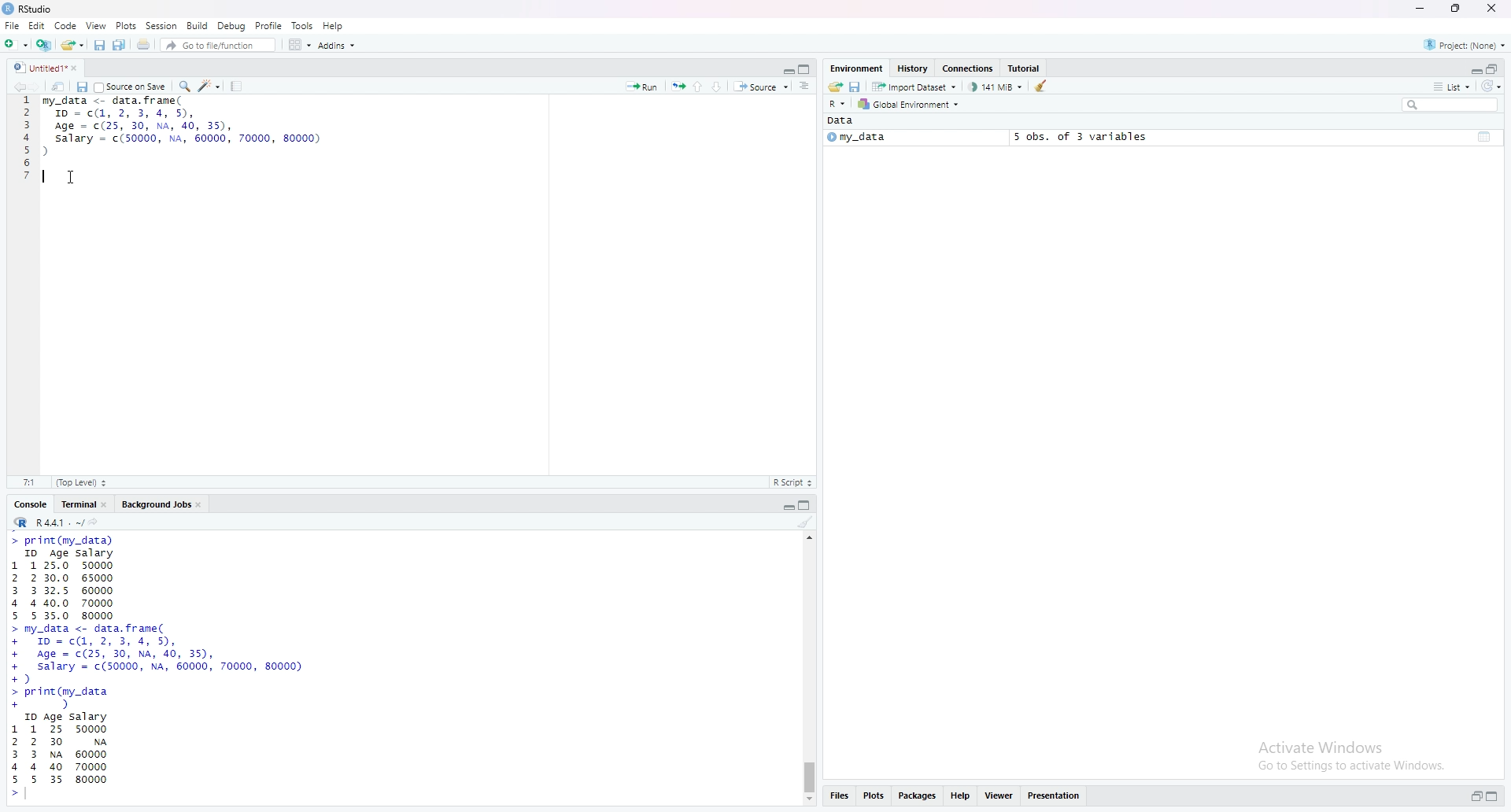 Image resolution: width=1511 pixels, height=812 pixels. I want to click on create a project, so click(45, 46).